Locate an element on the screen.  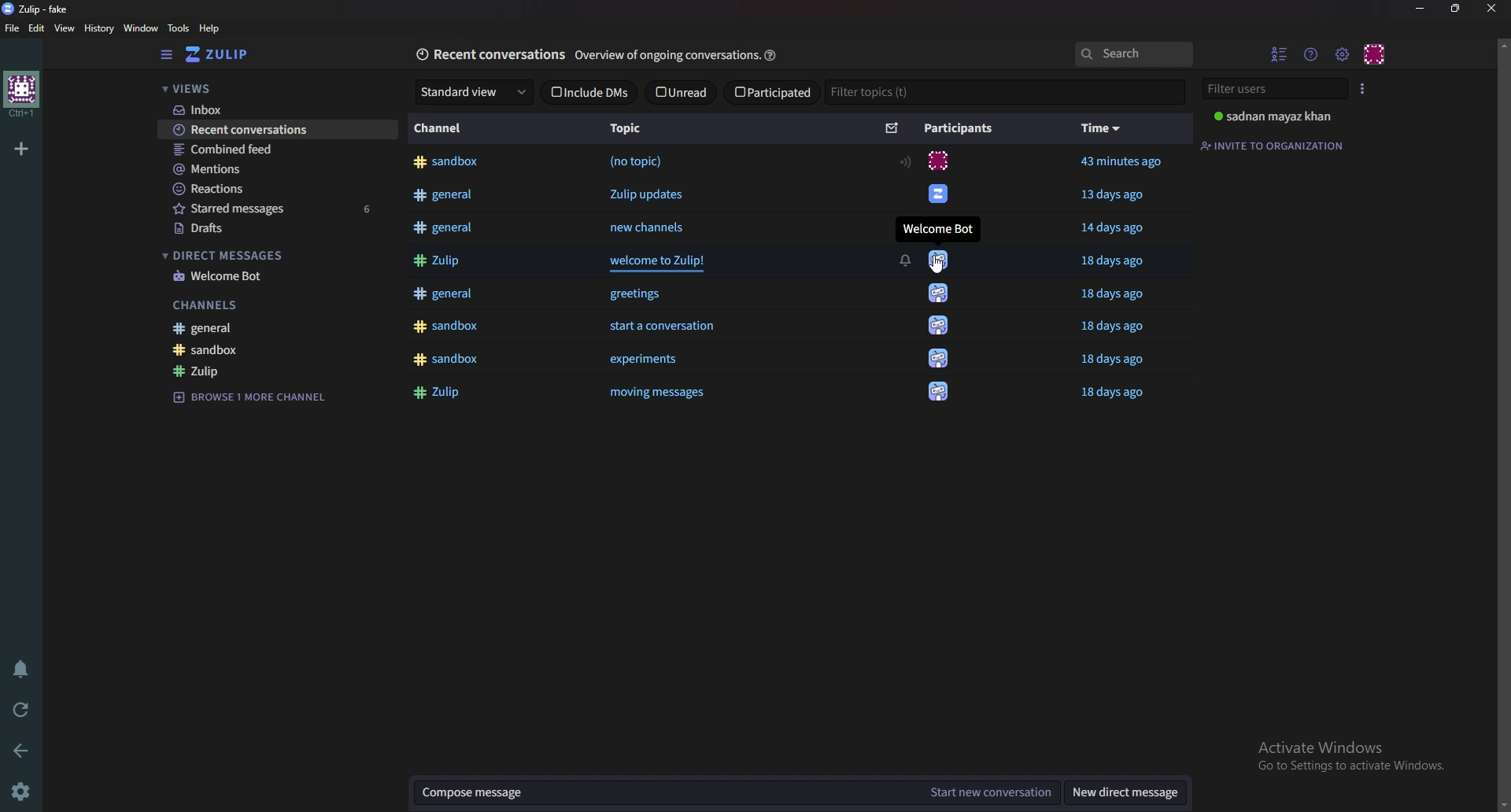
Drafts is located at coordinates (277, 228).